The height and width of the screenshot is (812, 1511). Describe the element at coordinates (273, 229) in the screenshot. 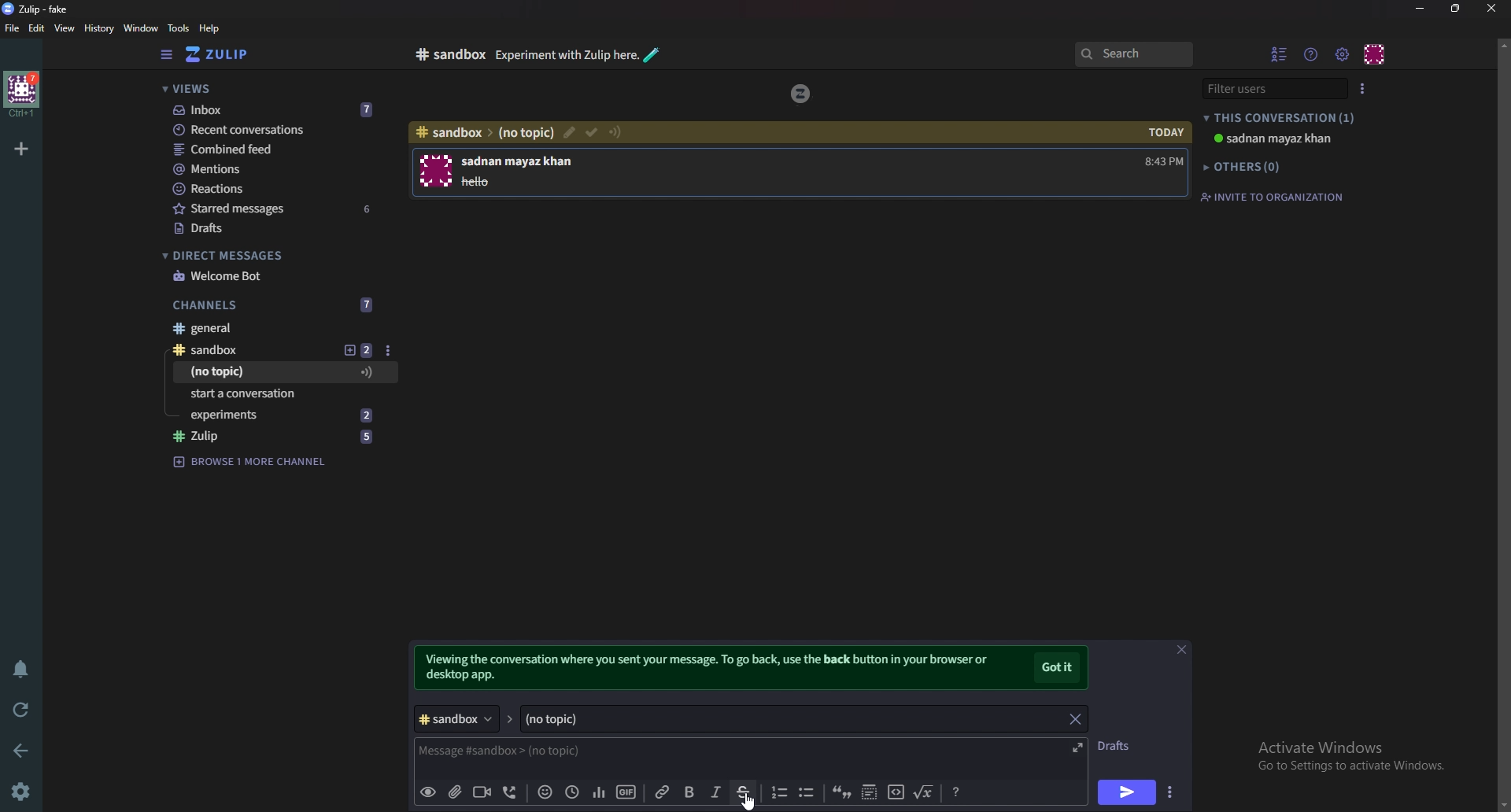

I see `Drafts` at that location.